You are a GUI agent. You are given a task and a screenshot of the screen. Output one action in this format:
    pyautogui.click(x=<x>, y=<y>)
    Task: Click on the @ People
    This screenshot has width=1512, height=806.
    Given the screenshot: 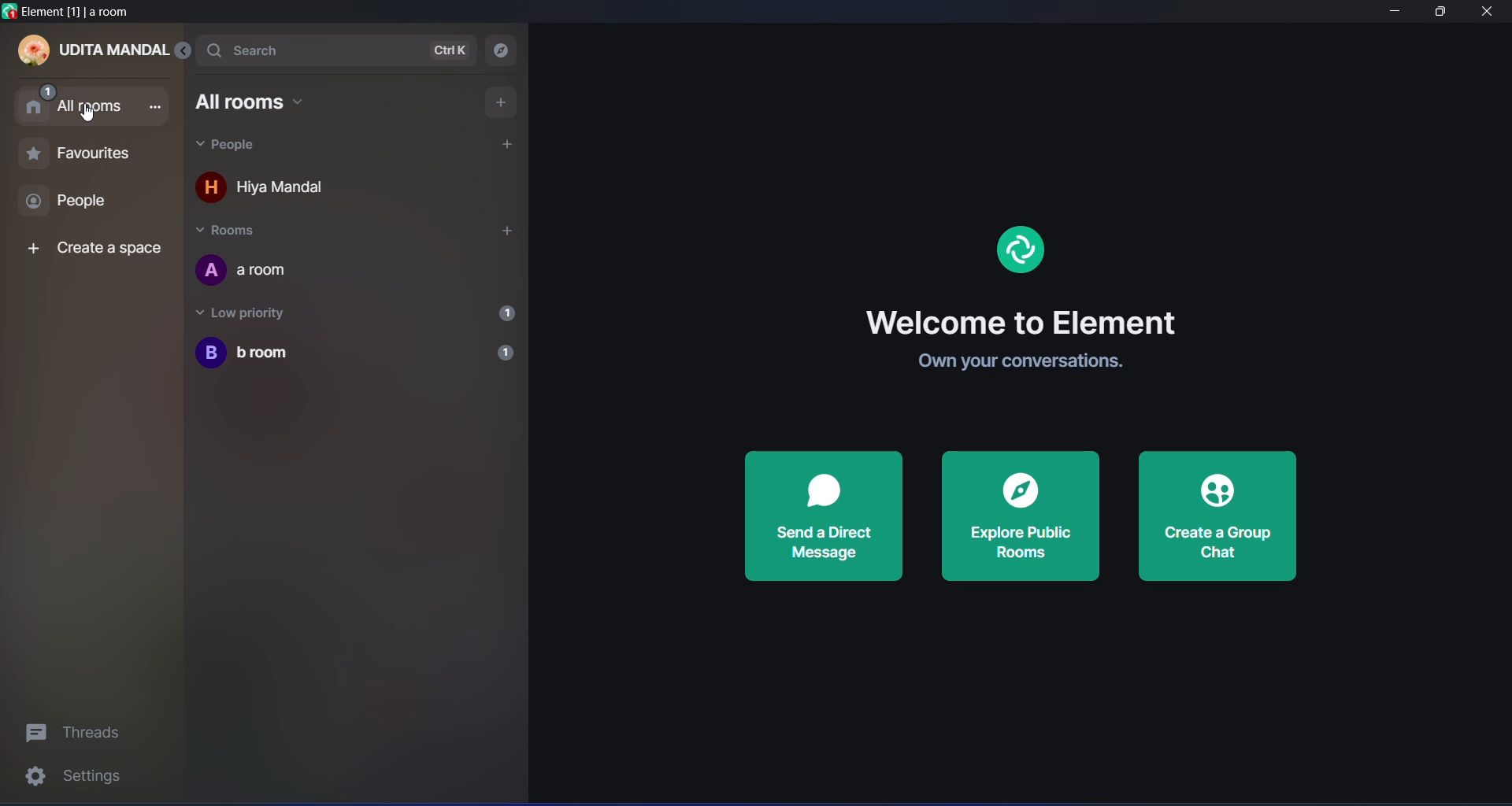 What is the action you would take?
    pyautogui.click(x=82, y=203)
    